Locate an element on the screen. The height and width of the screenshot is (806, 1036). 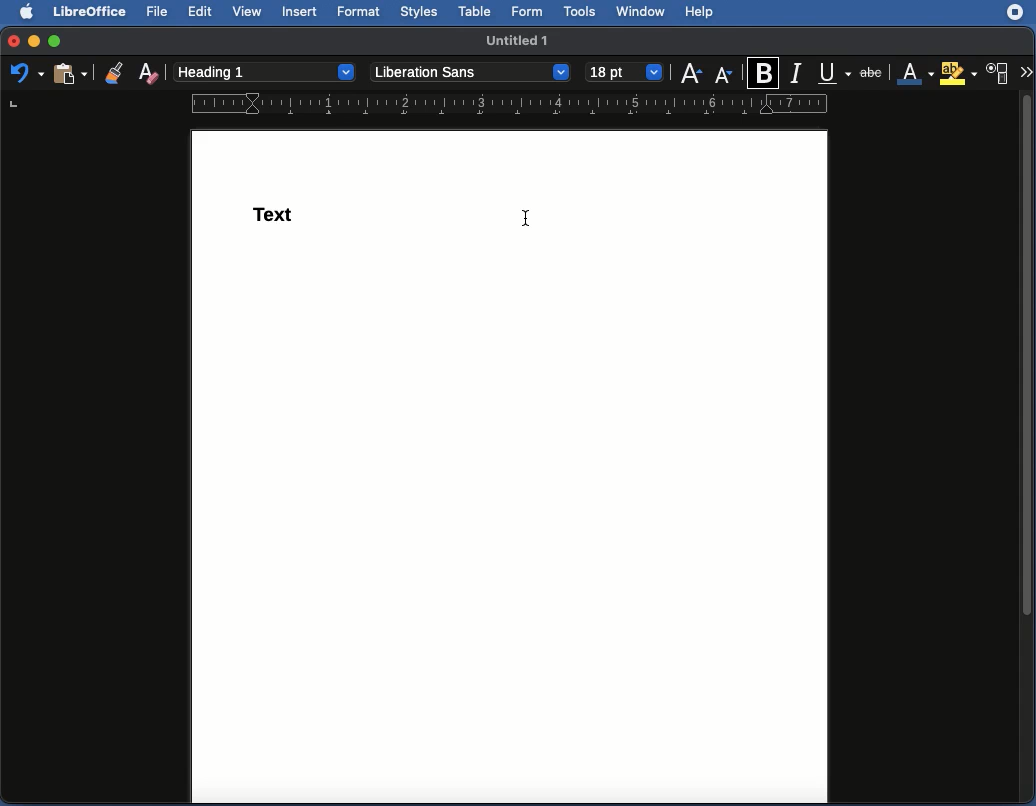
Clone formatting is located at coordinates (113, 70).